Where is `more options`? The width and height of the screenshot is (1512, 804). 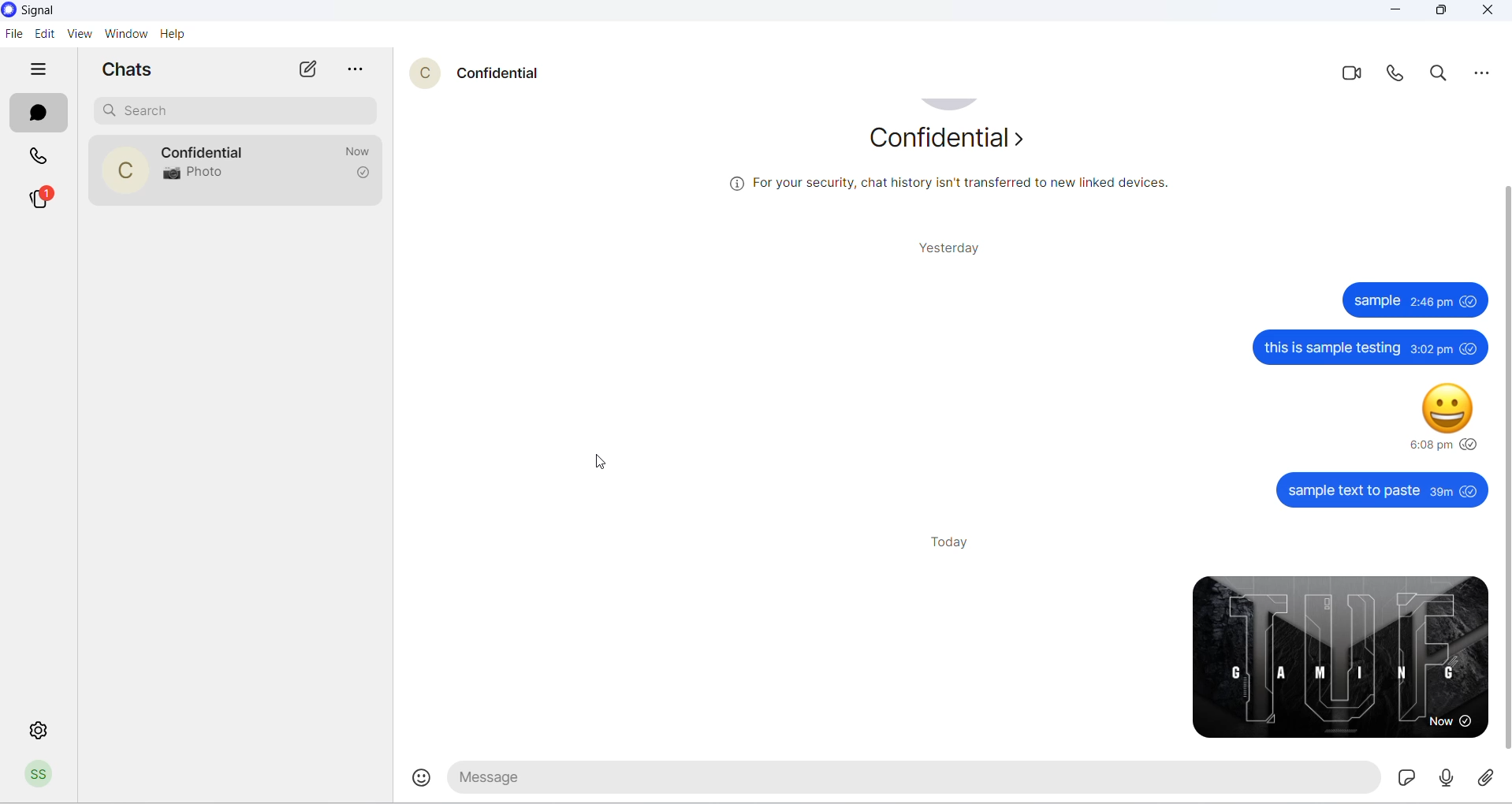 more options is located at coordinates (359, 71).